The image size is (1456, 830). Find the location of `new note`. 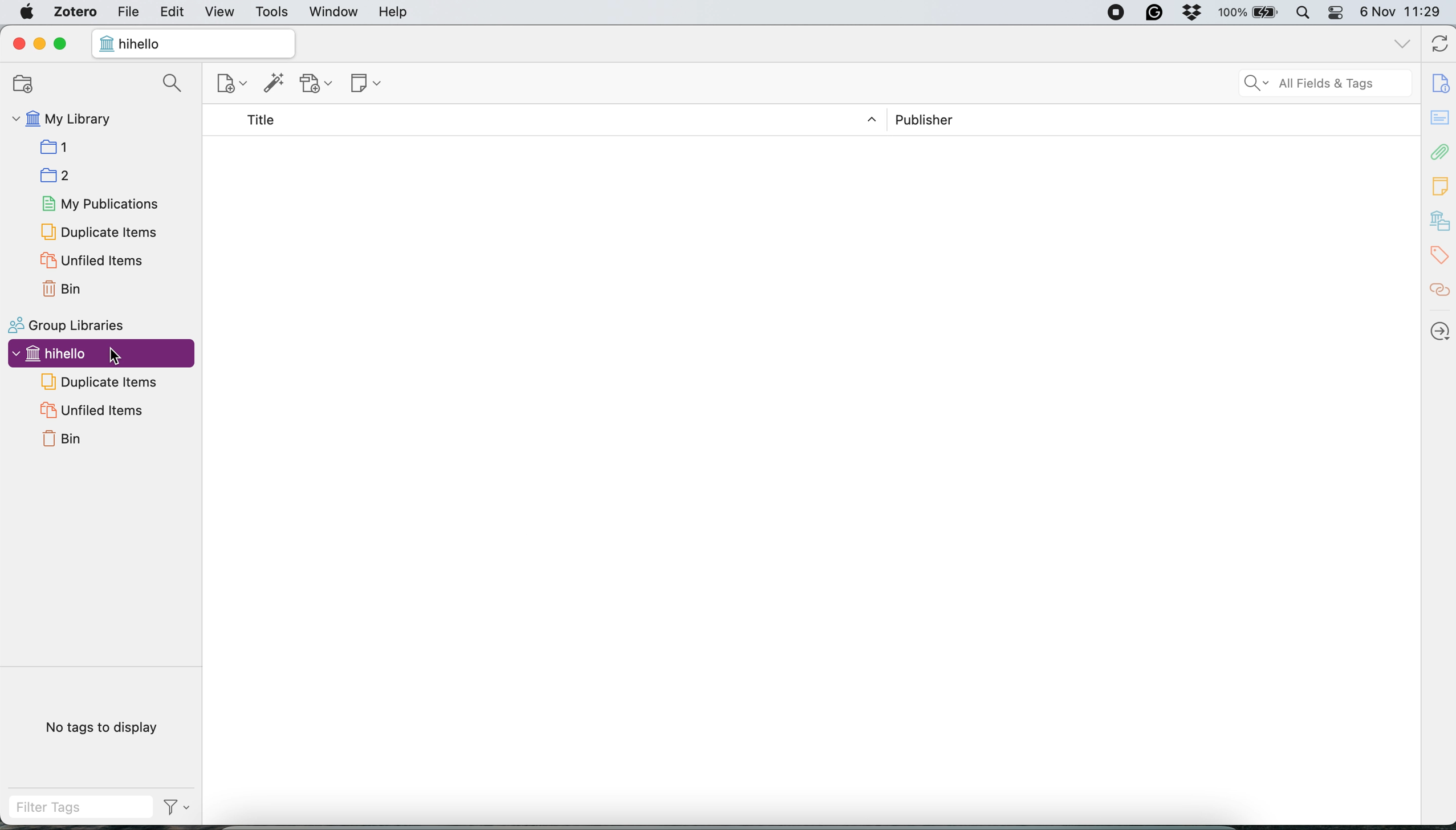

new note is located at coordinates (375, 83).